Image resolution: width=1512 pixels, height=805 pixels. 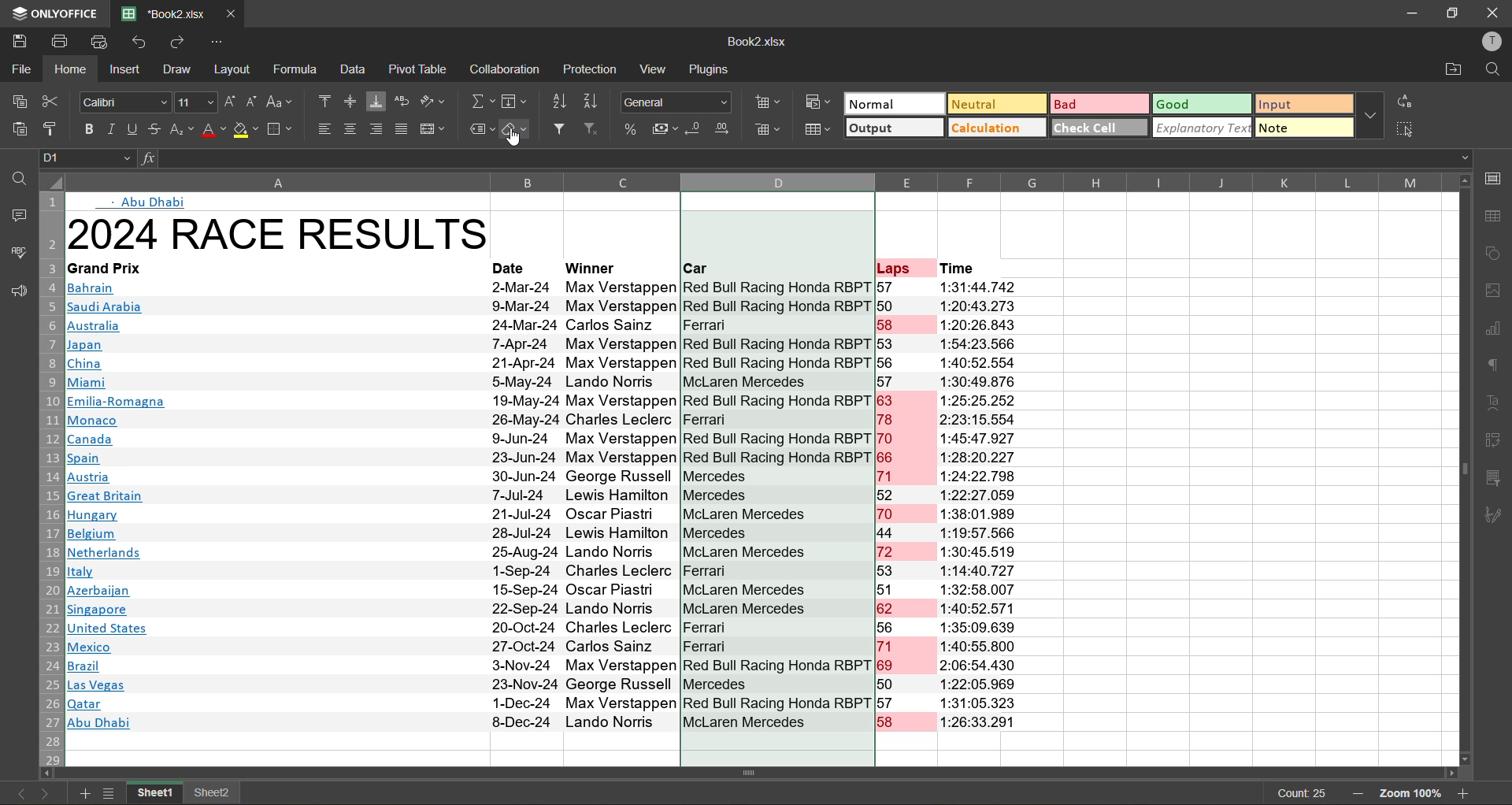 What do you see at coordinates (1362, 796) in the screenshot?
I see `zoom out` at bounding box center [1362, 796].